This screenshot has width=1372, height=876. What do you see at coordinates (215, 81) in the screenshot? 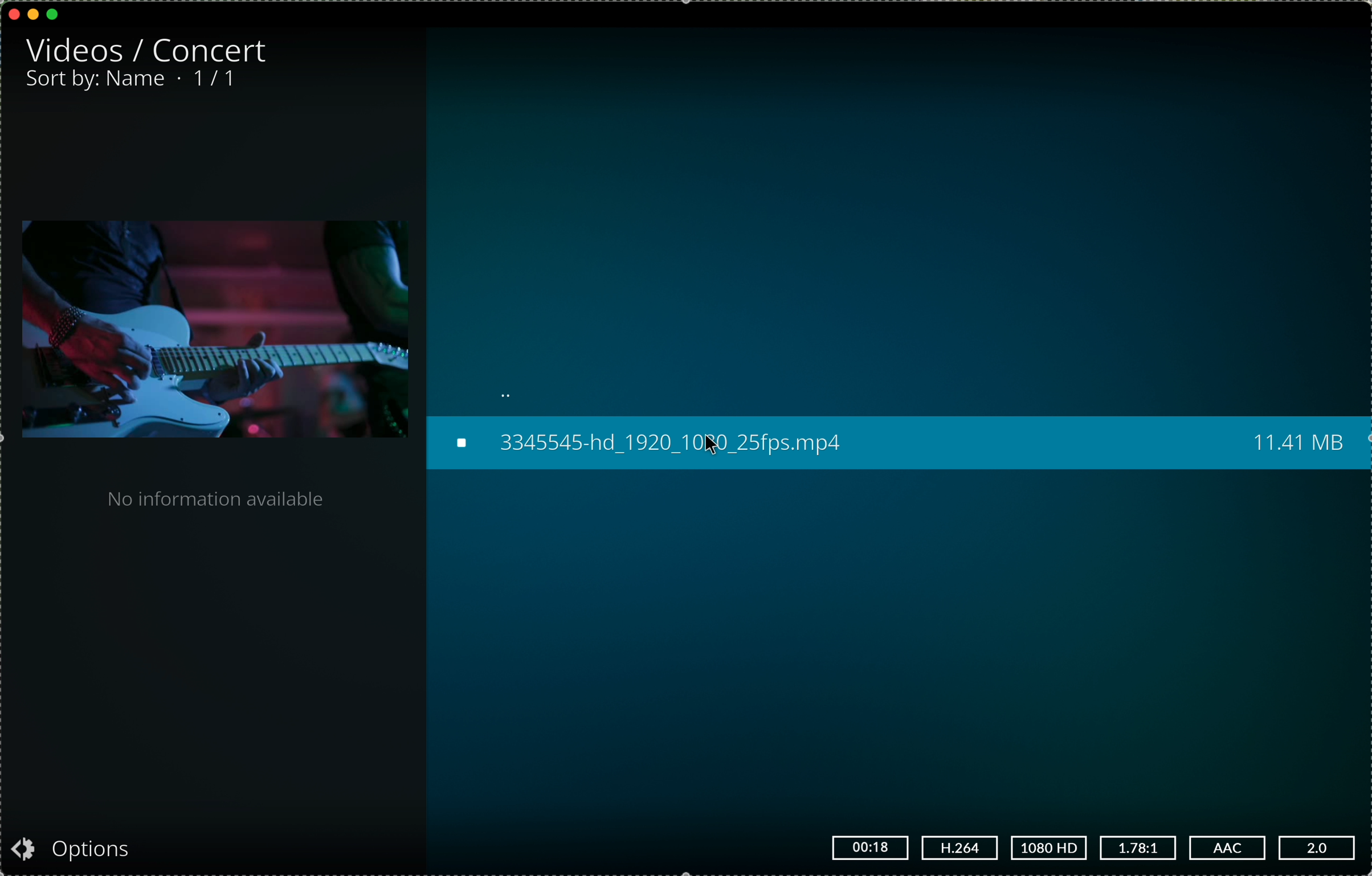
I see `1/1` at bounding box center [215, 81].